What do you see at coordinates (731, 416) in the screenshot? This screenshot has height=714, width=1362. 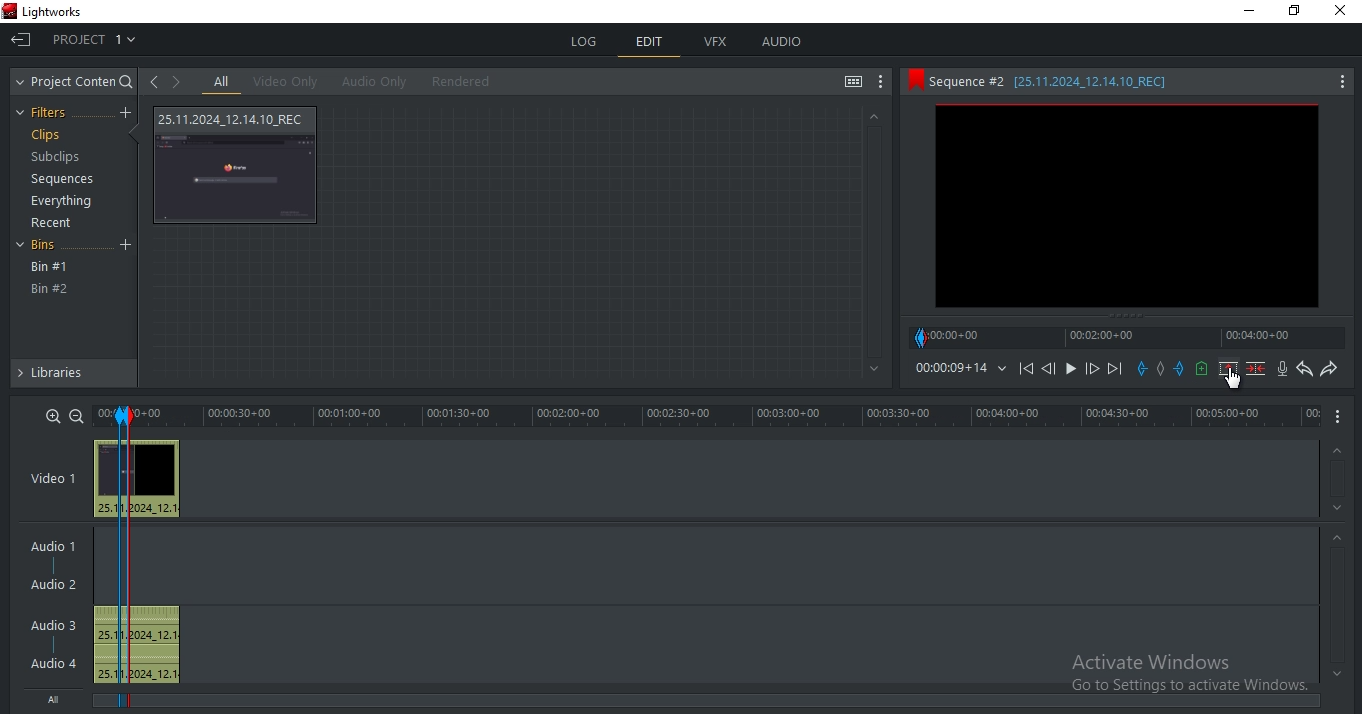 I see `time` at bounding box center [731, 416].